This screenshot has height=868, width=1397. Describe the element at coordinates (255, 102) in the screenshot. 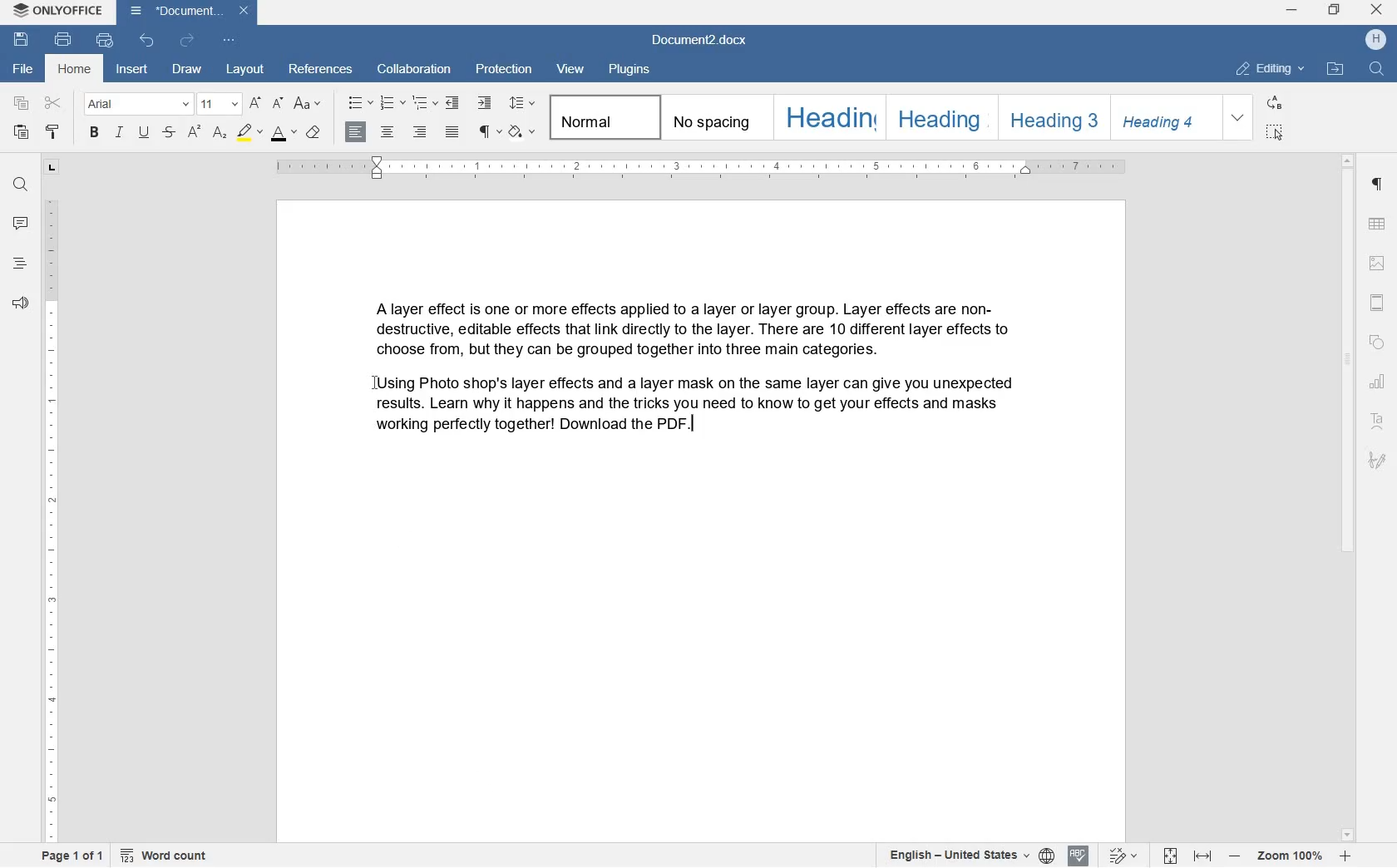

I see `INCREMENT FONT SIZE` at that location.